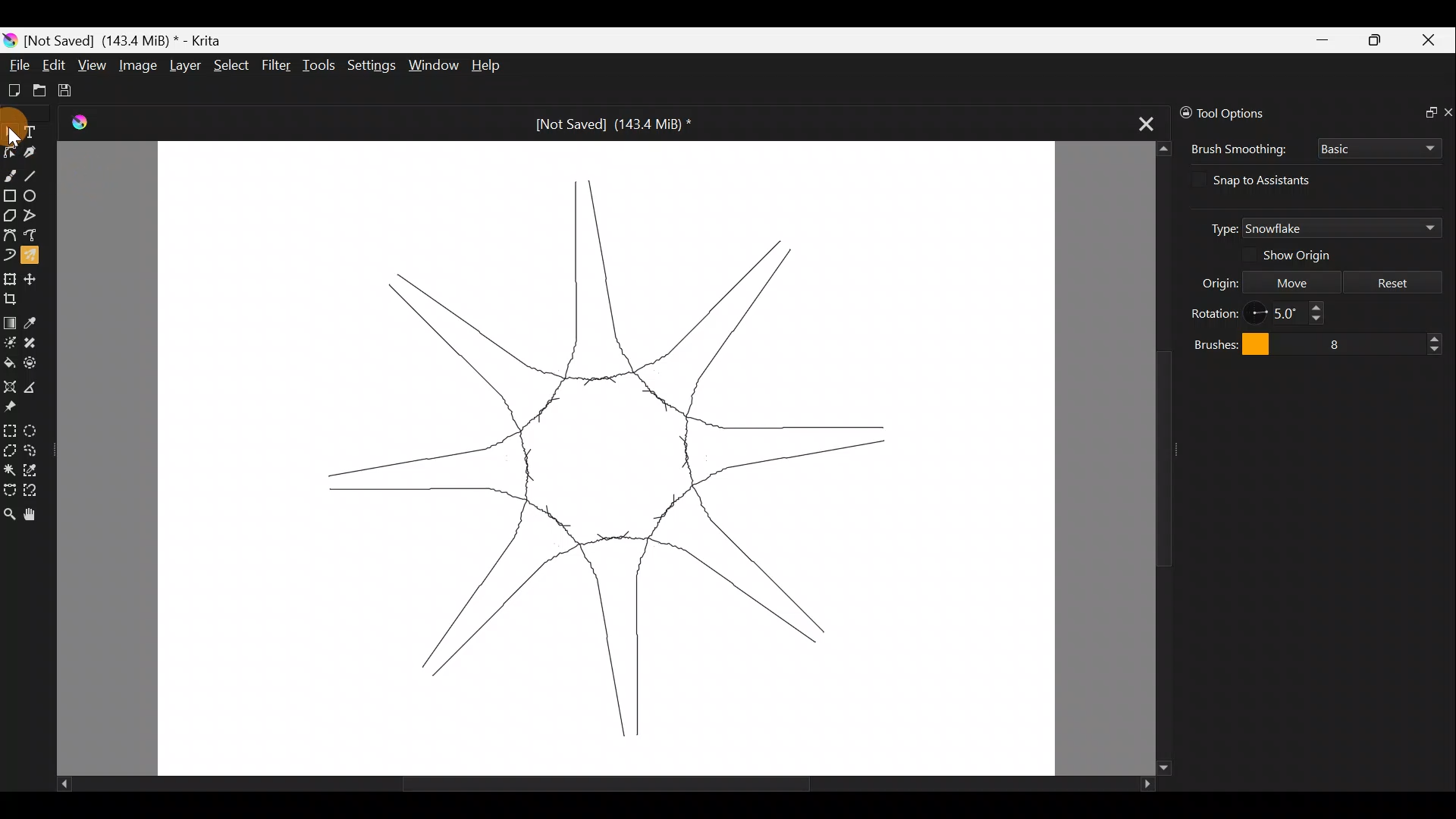 This screenshot has height=819, width=1456. Describe the element at coordinates (279, 66) in the screenshot. I see `Filter` at that location.